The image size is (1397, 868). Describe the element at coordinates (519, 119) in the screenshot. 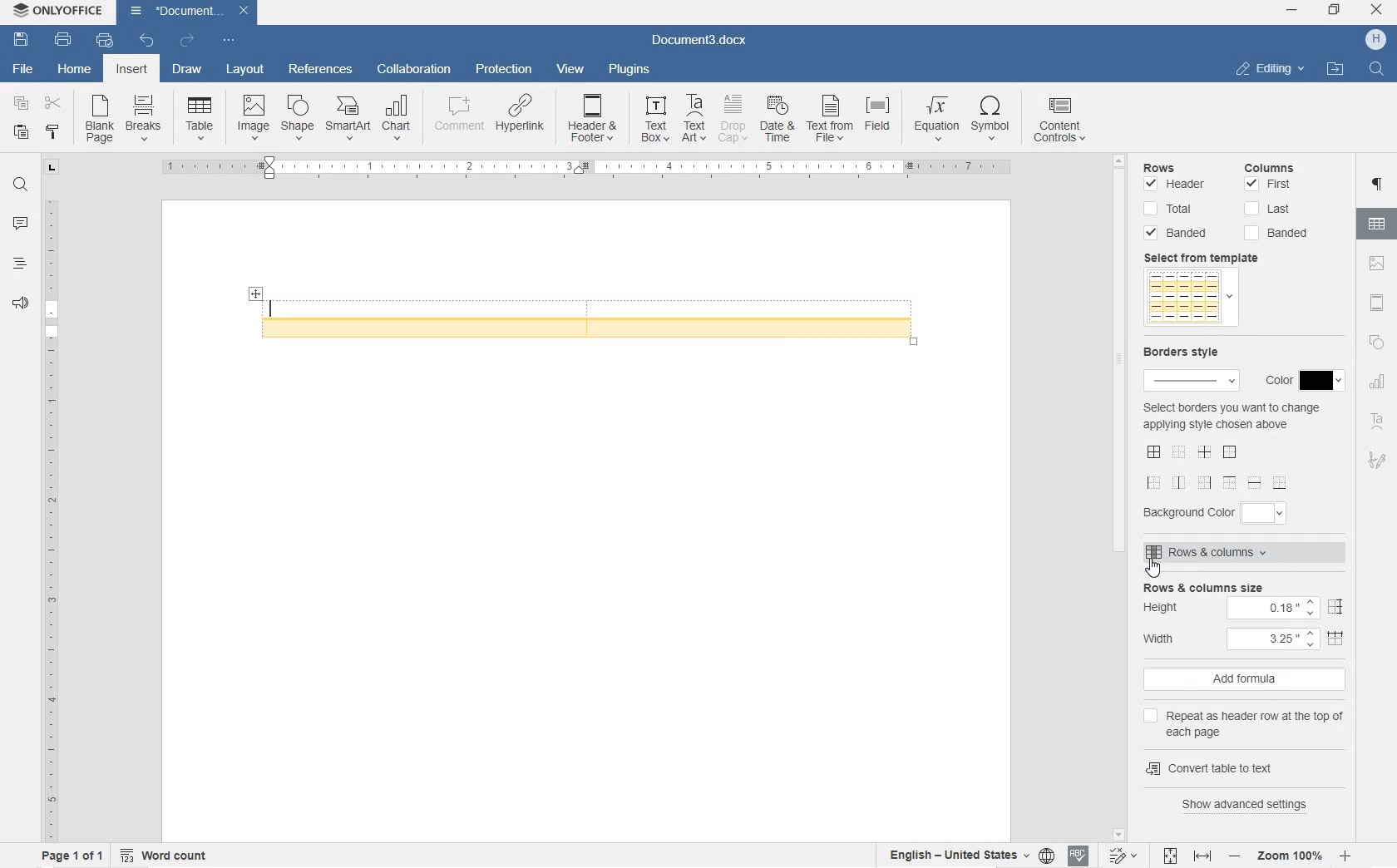

I see `Hyperlink` at that location.